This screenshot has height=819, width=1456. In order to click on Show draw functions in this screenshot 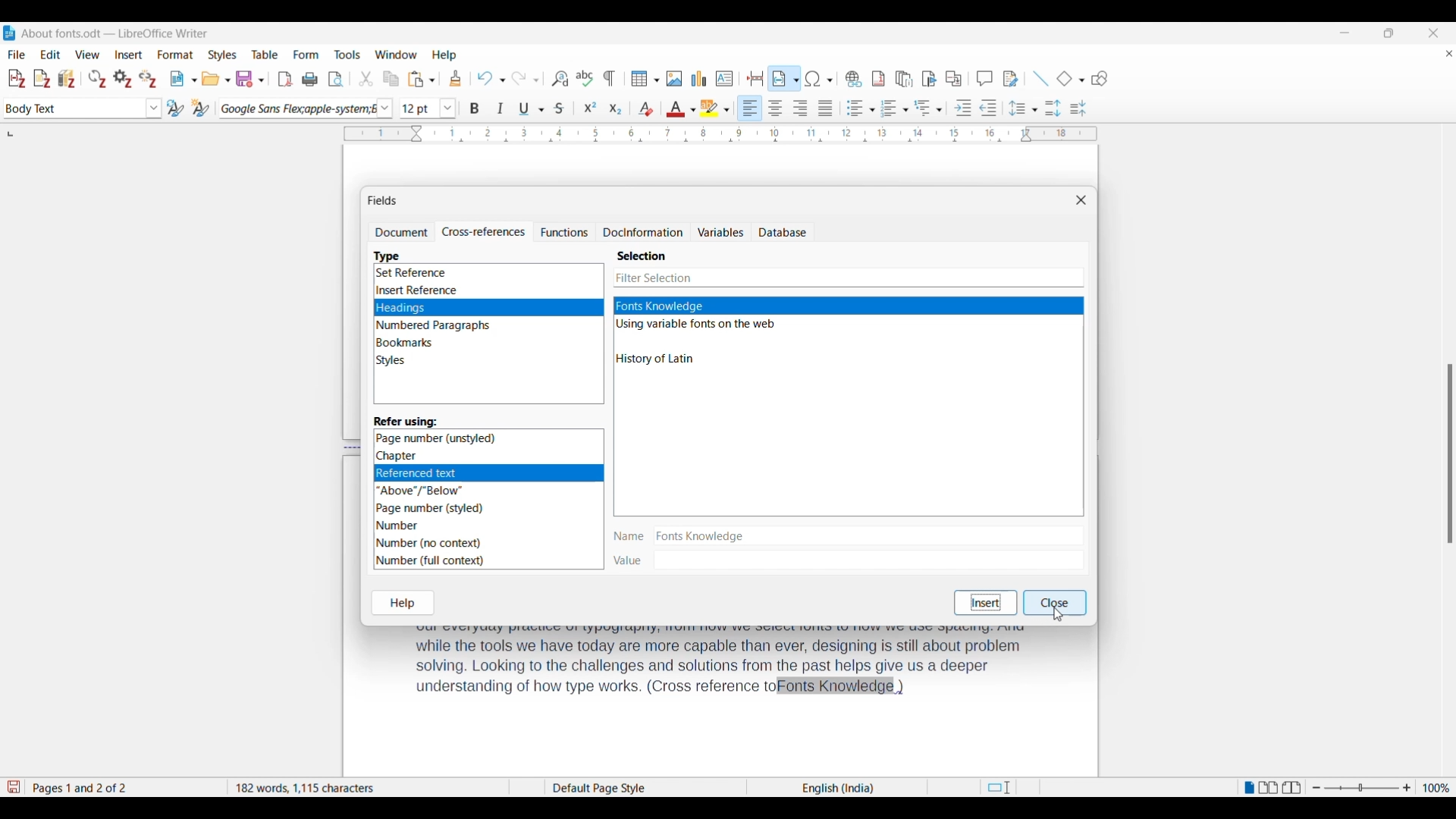, I will do `click(1100, 79)`.